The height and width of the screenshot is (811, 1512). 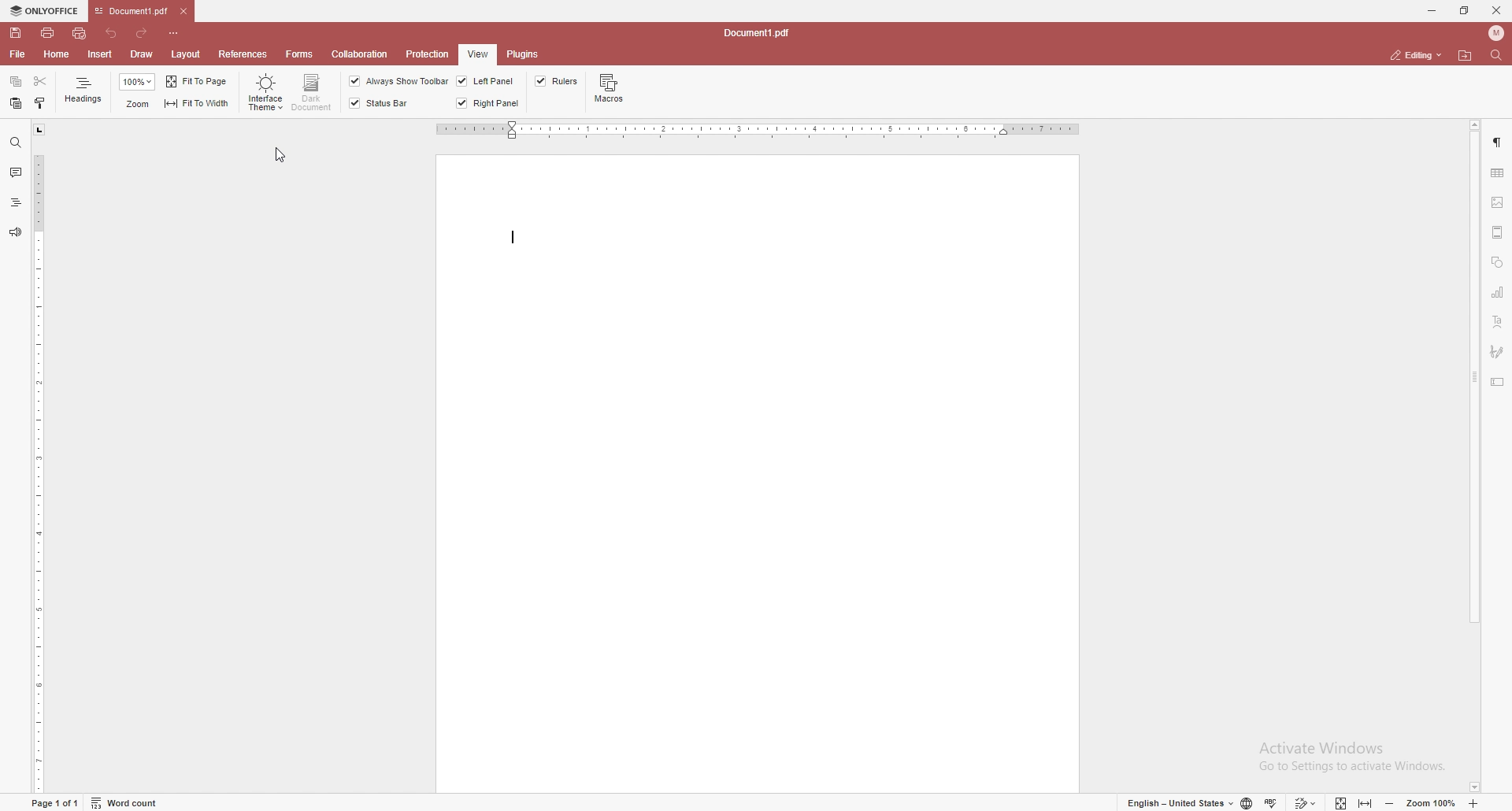 What do you see at coordinates (39, 457) in the screenshot?
I see `vertical scale` at bounding box center [39, 457].